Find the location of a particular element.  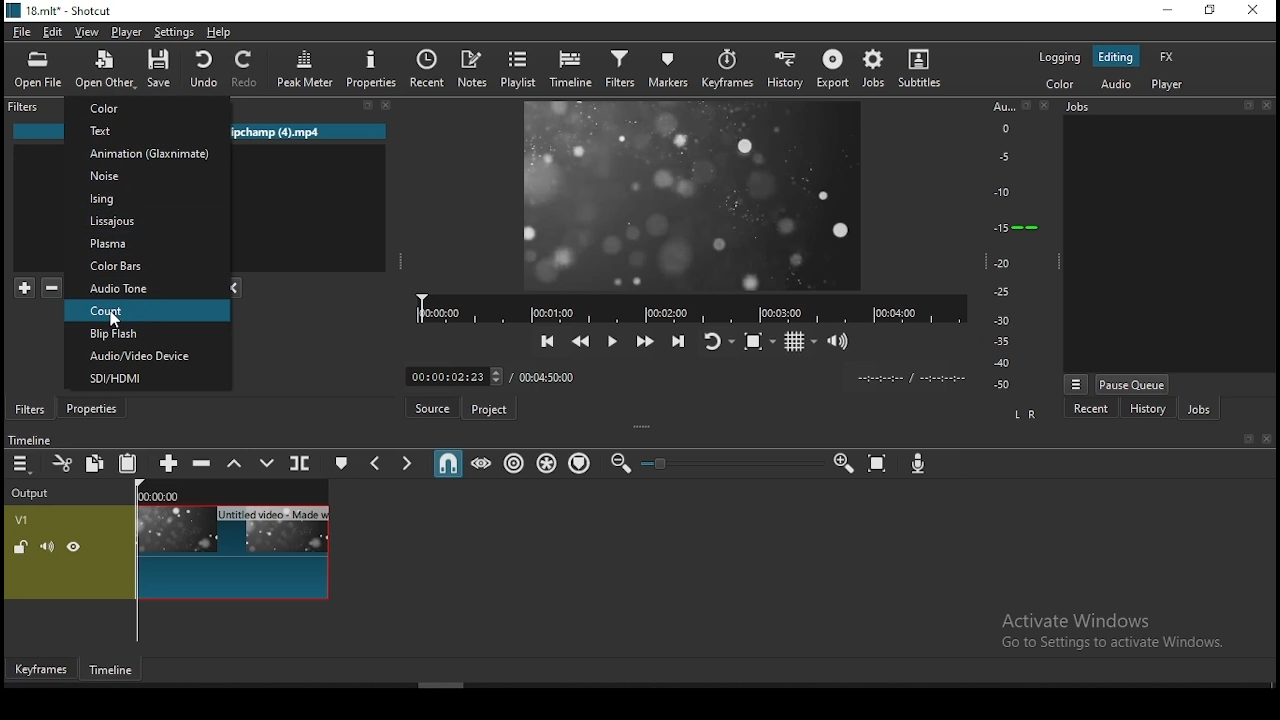

split at playhead is located at coordinates (427, 68).